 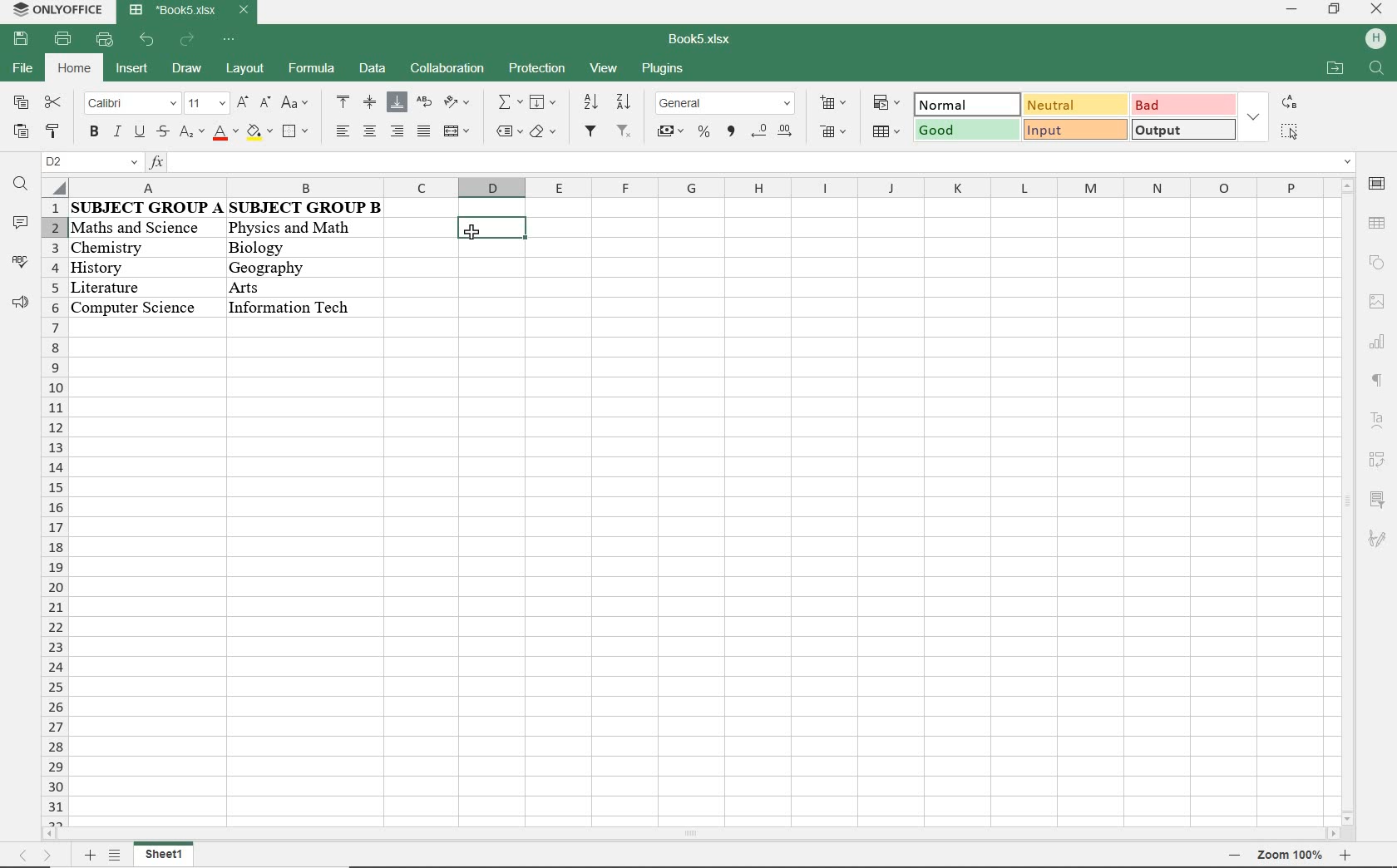 I want to click on scrollbar, so click(x=1345, y=502).